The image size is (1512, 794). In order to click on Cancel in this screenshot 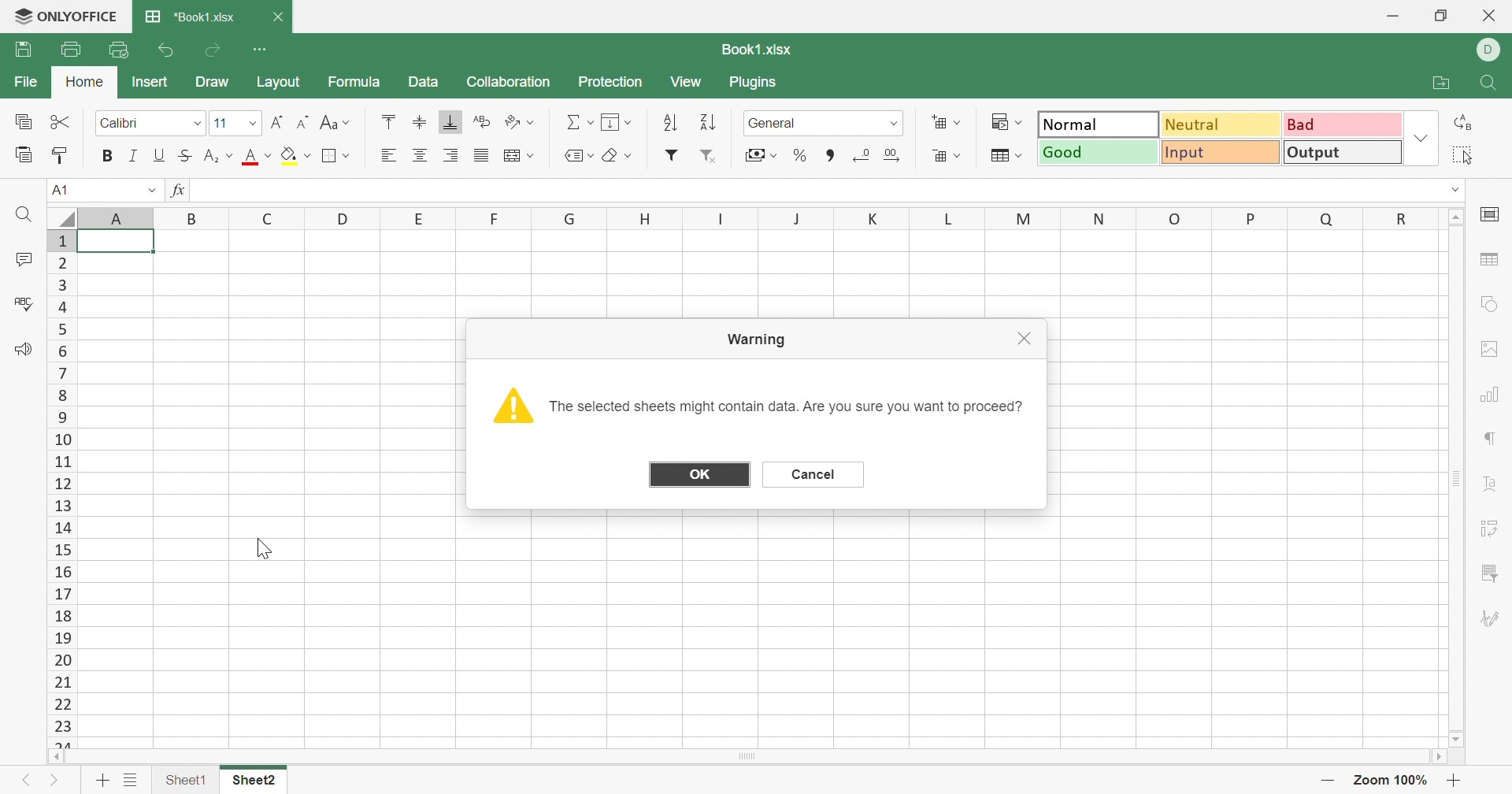, I will do `click(816, 474)`.